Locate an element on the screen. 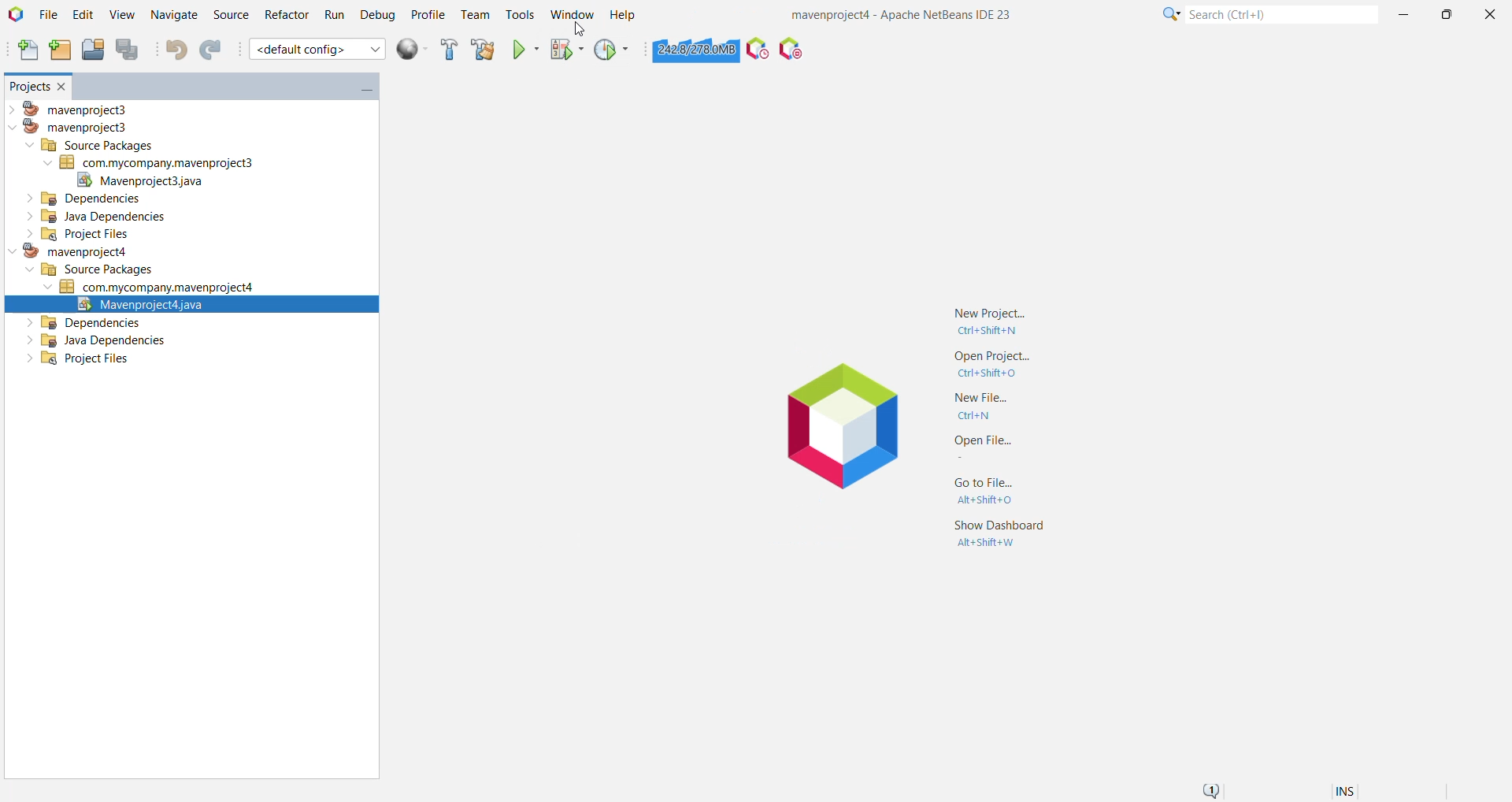 Image resolution: width=1512 pixels, height=802 pixels. Debug Project is located at coordinates (566, 51).